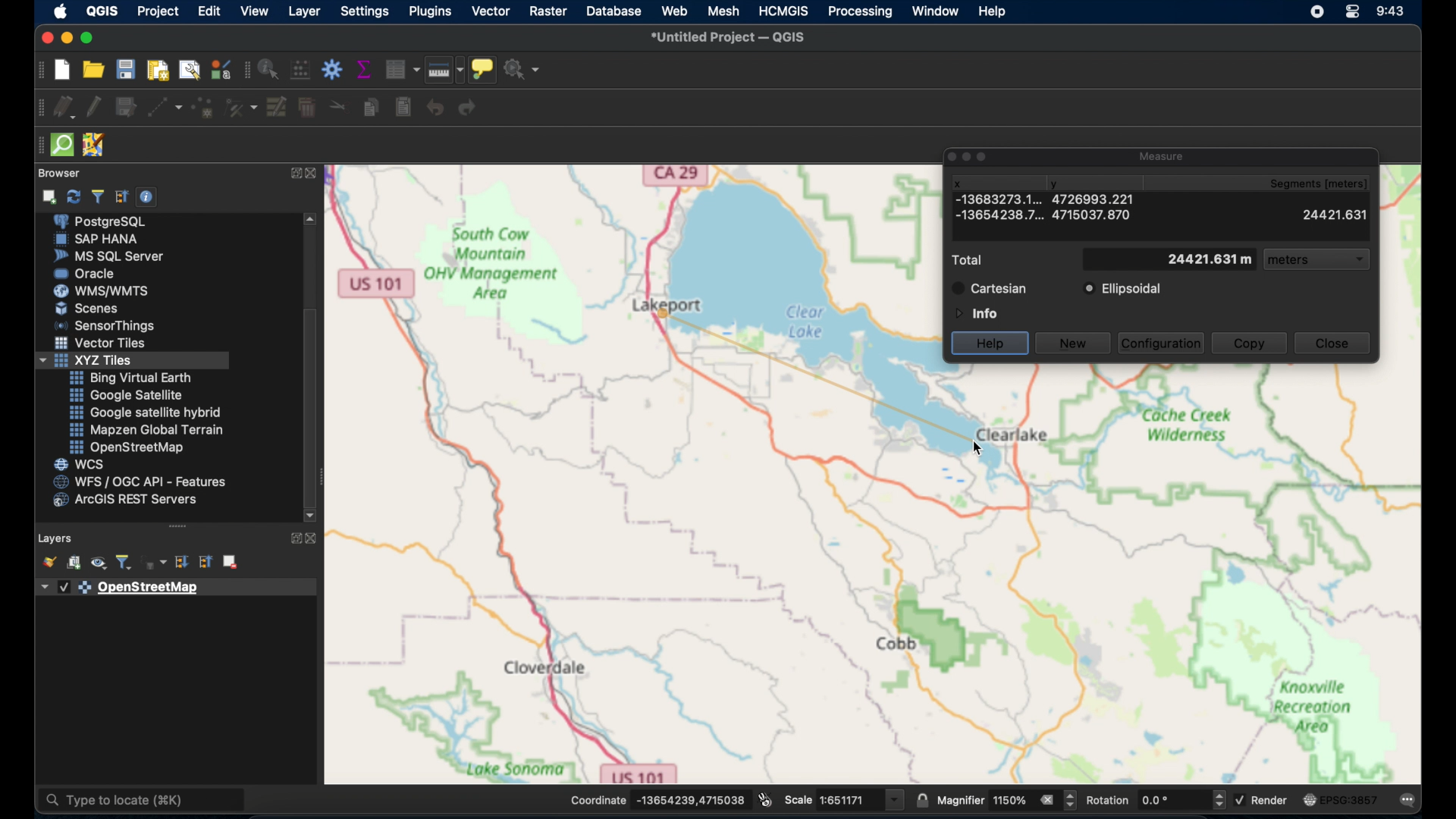 The width and height of the screenshot is (1456, 819). I want to click on help, so click(993, 13).